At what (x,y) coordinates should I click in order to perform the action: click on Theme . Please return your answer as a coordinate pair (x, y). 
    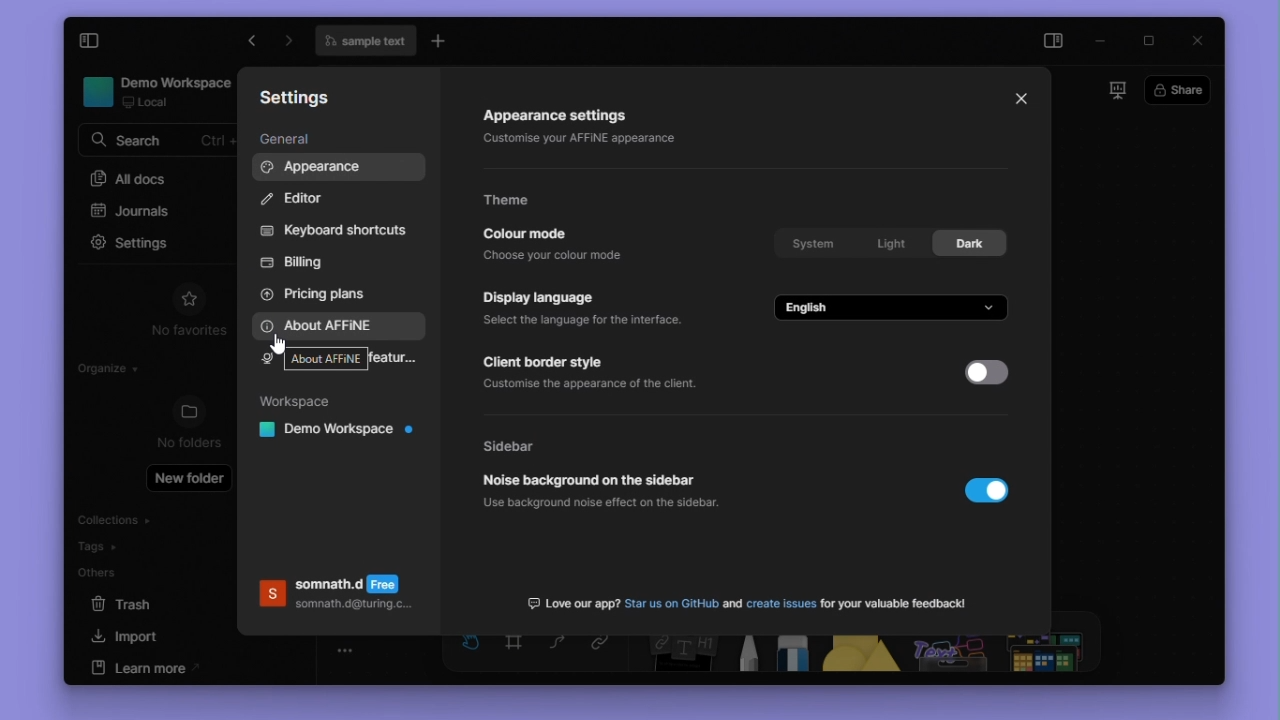
    Looking at the image, I should click on (519, 197).